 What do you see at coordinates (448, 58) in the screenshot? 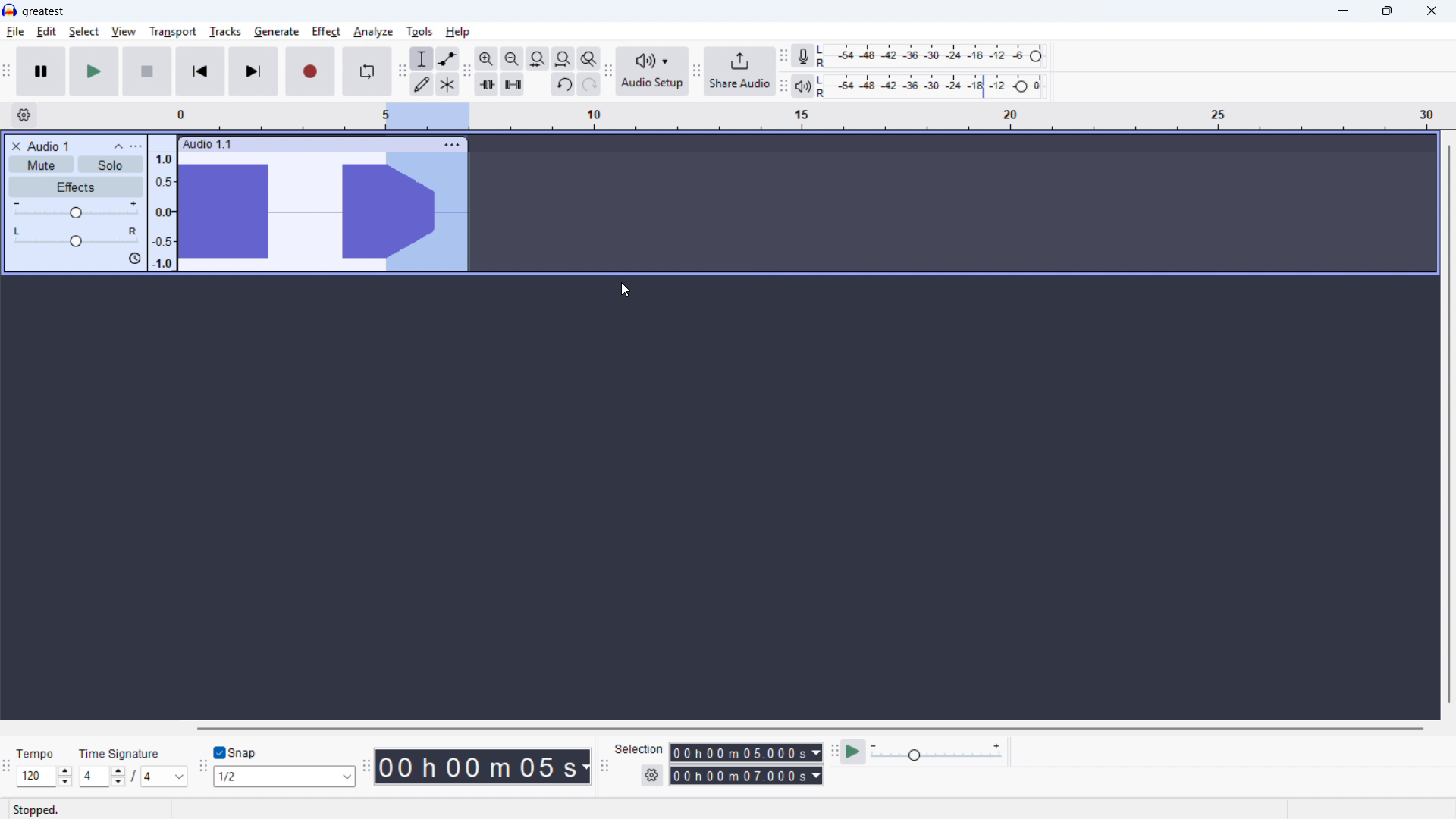
I see `Envelope tool ` at bounding box center [448, 58].